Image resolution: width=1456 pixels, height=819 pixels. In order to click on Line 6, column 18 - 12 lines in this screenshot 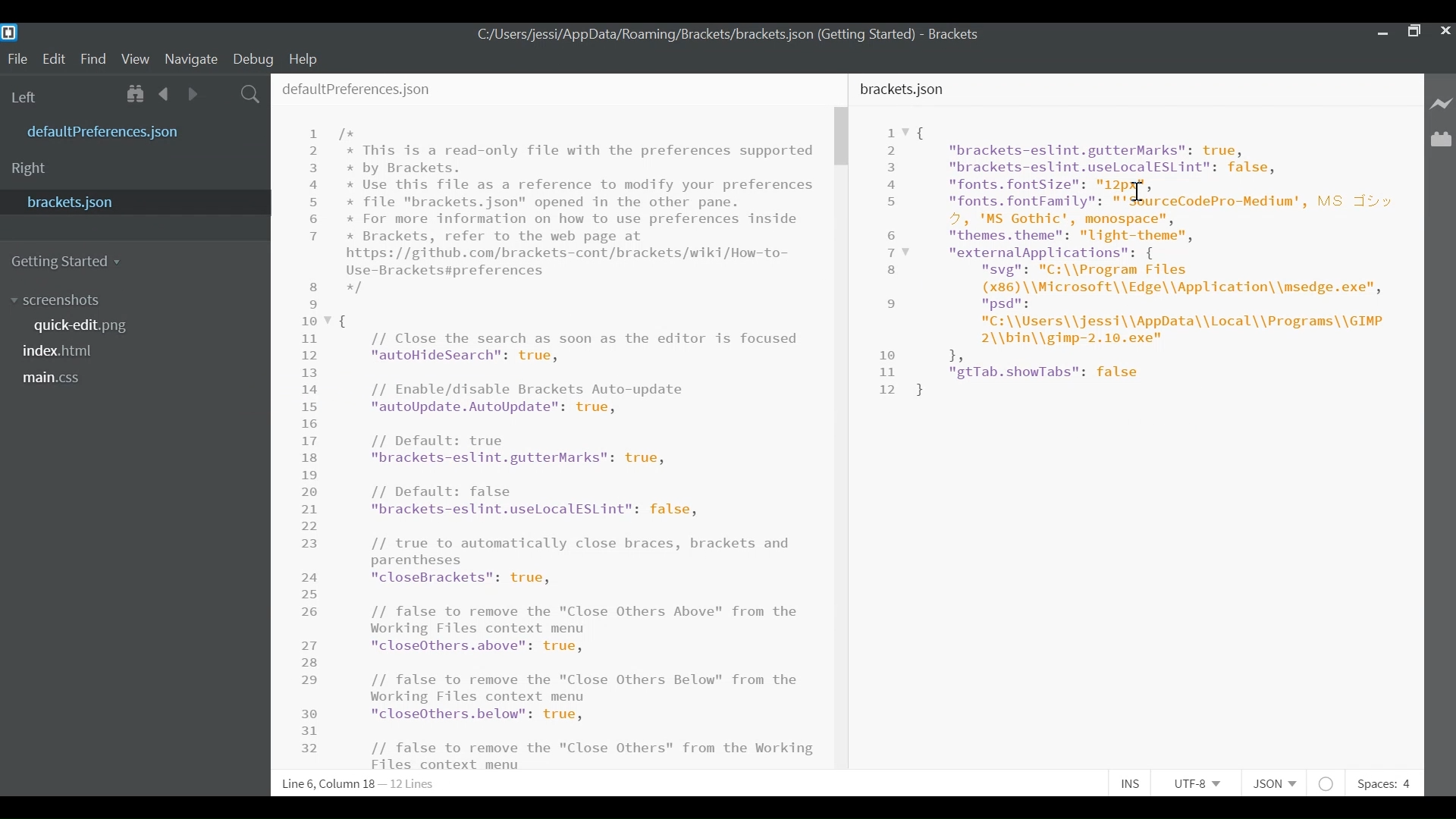, I will do `click(362, 785)`.